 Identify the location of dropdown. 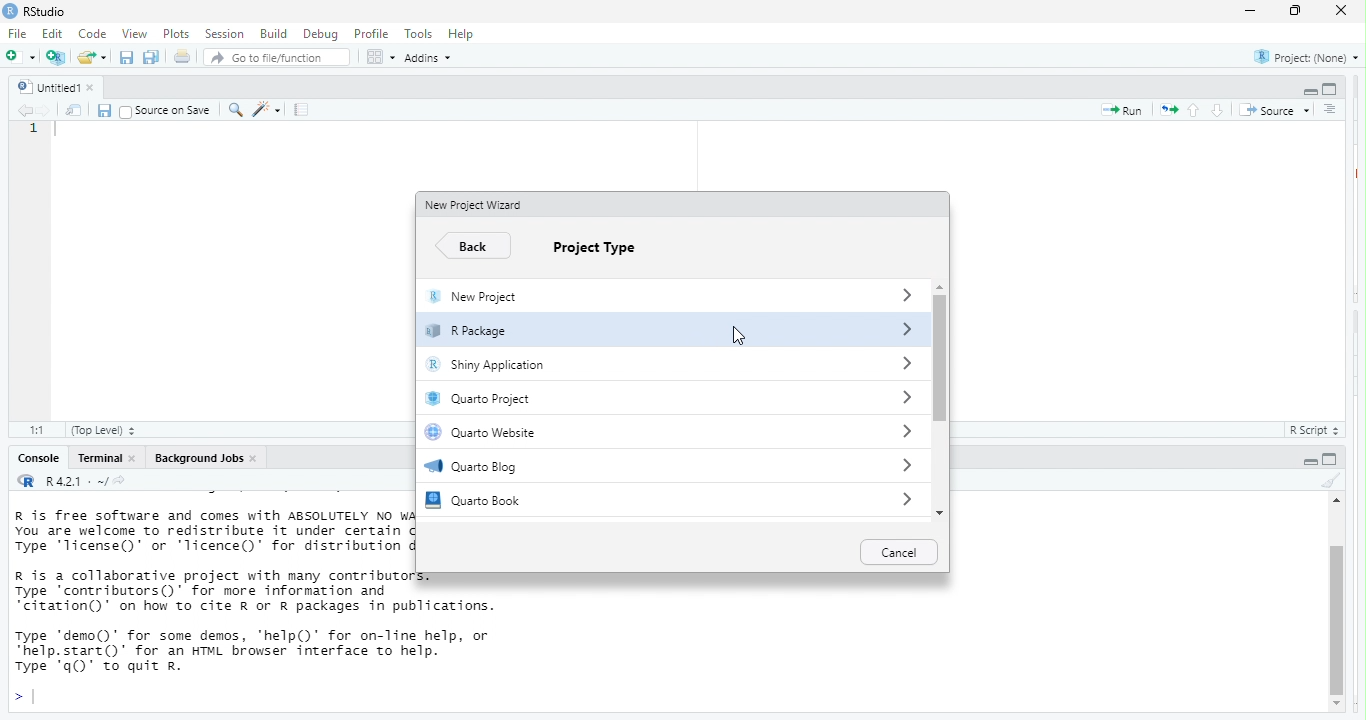
(905, 362).